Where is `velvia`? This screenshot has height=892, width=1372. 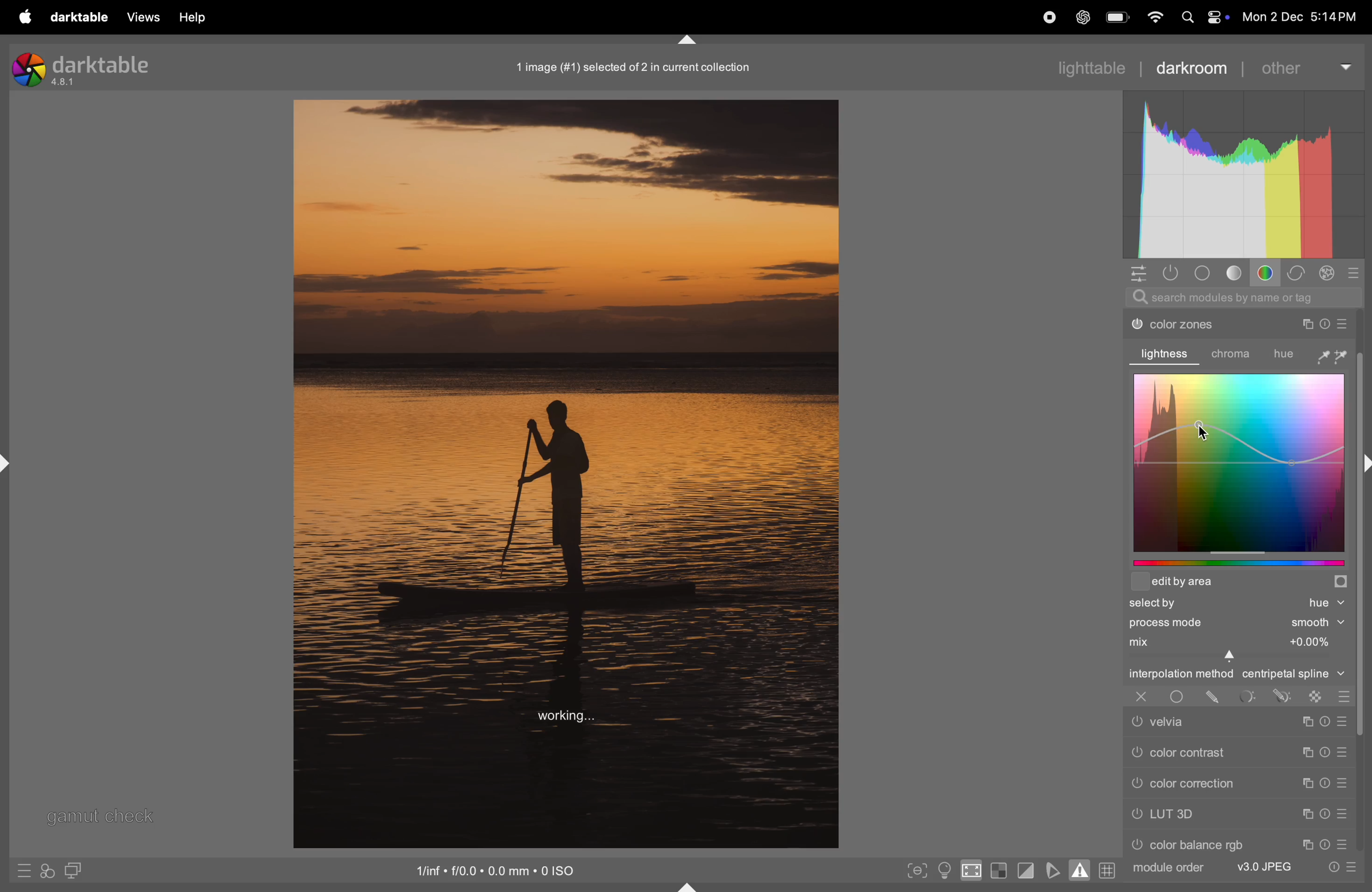 velvia is located at coordinates (1198, 721).